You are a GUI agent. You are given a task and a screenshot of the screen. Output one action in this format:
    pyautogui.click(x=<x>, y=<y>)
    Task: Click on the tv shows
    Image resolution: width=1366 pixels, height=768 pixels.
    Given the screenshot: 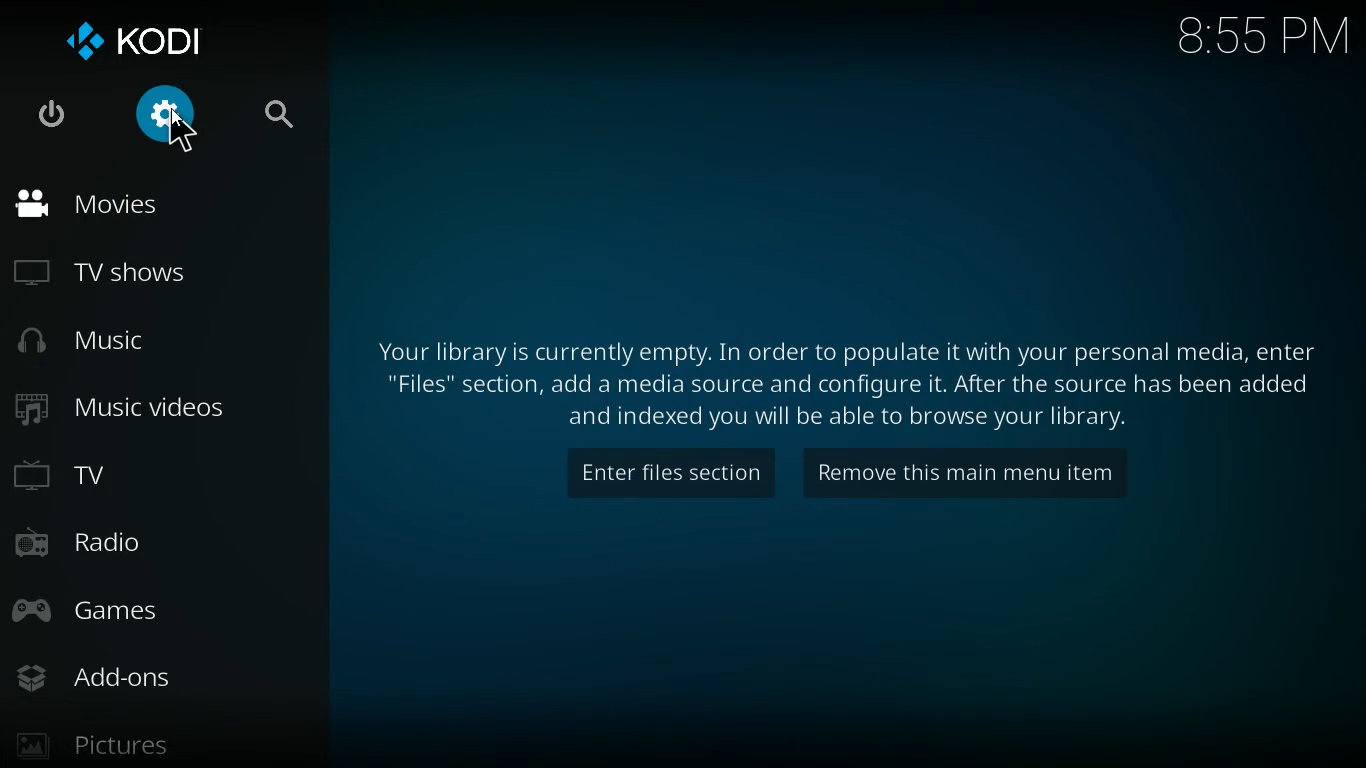 What is the action you would take?
    pyautogui.click(x=112, y=273)
    